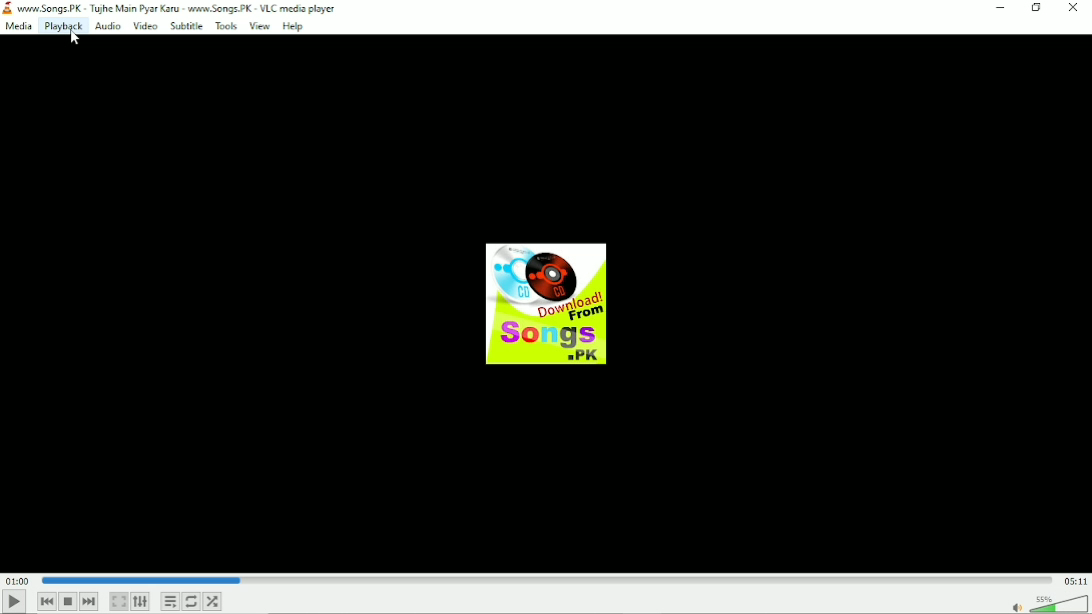  What do you see at coordinates (1074, 580) in the screenshot?
I see `Total duration` at bounding box center [1074, 580].